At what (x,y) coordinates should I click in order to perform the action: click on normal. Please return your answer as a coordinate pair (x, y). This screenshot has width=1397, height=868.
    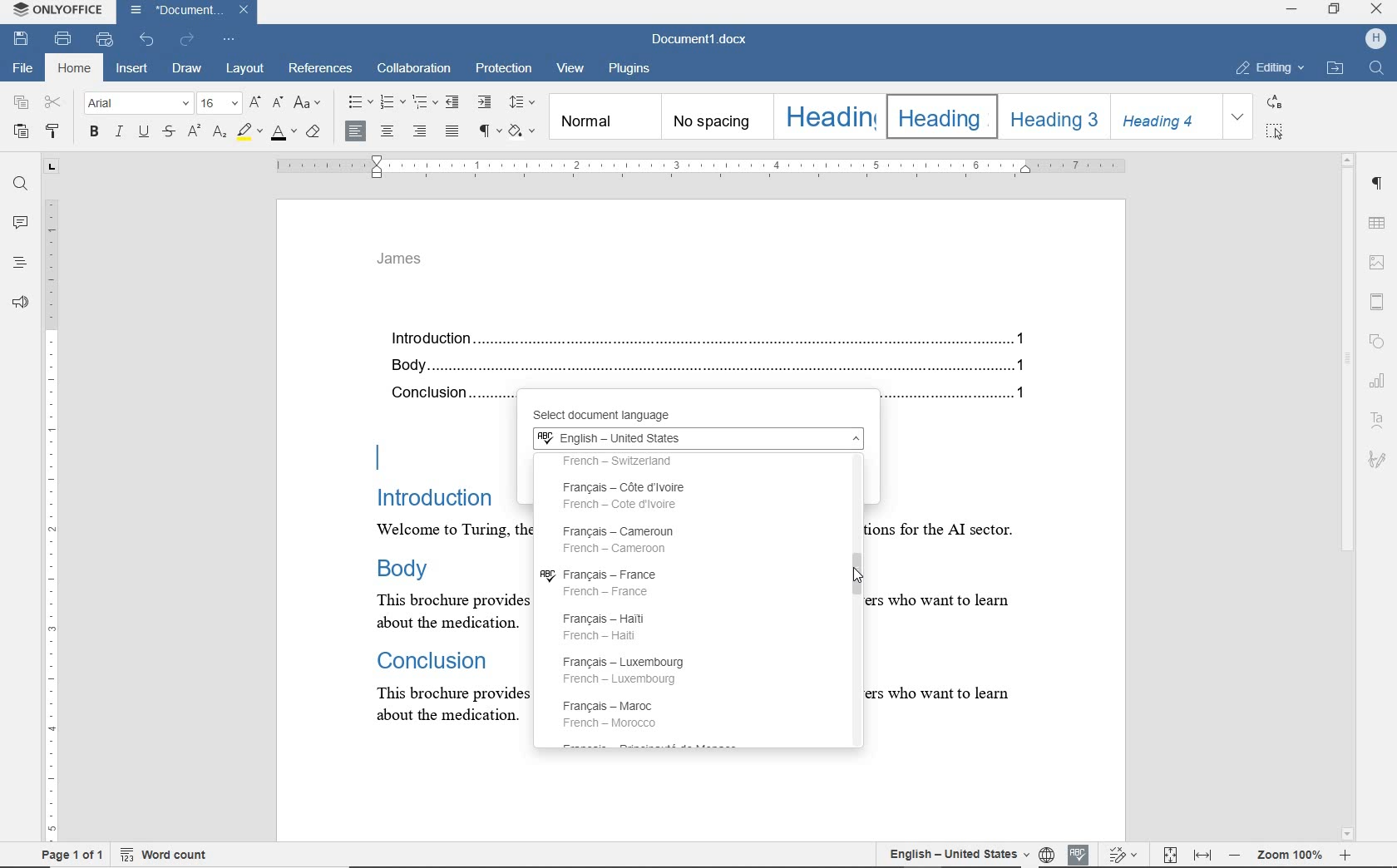
    Looking at the image, I should click on (604, 116).